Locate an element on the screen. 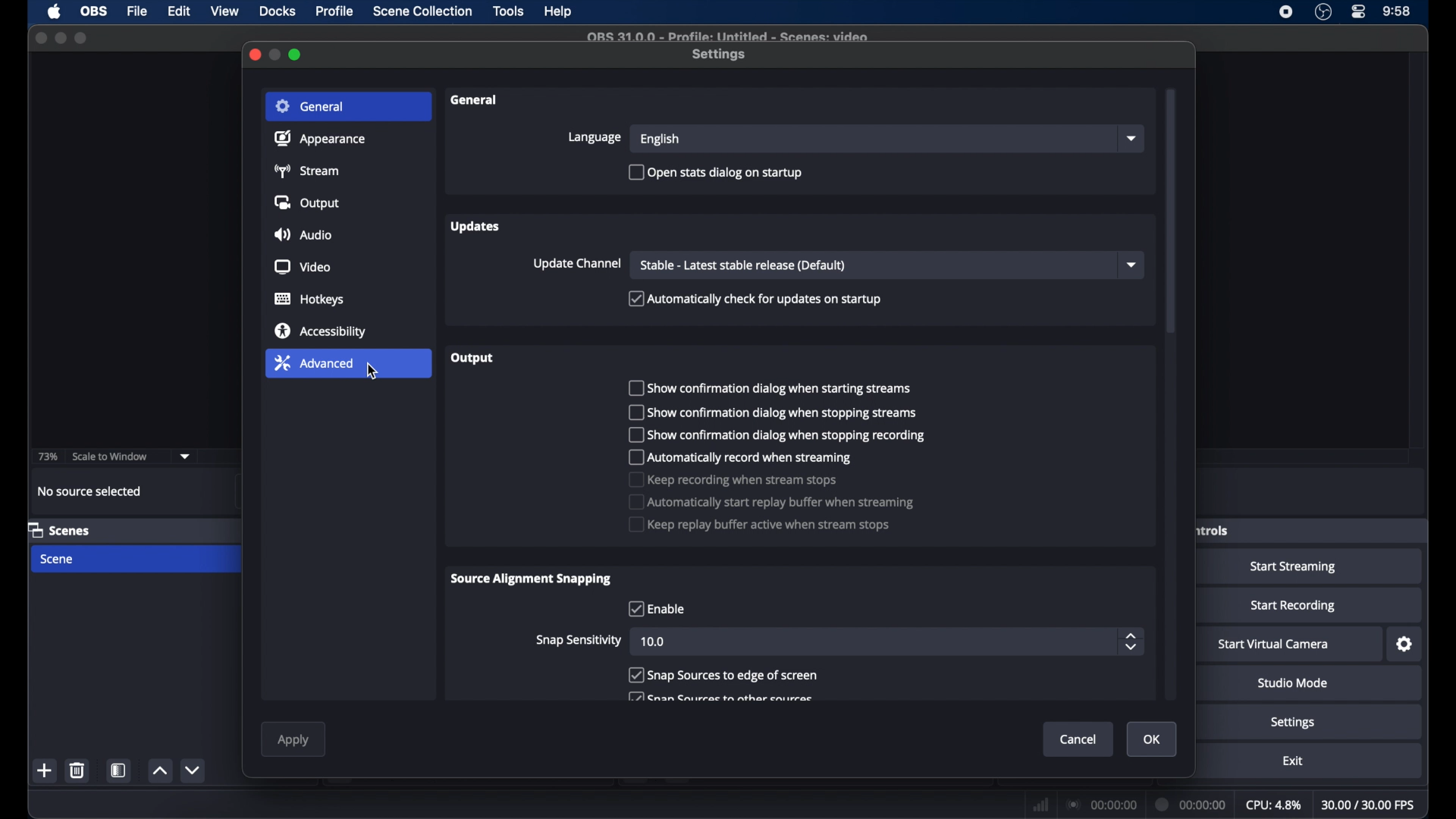 This screenshot has width=1456, height=819. stream is located at coordinates (309, 171).